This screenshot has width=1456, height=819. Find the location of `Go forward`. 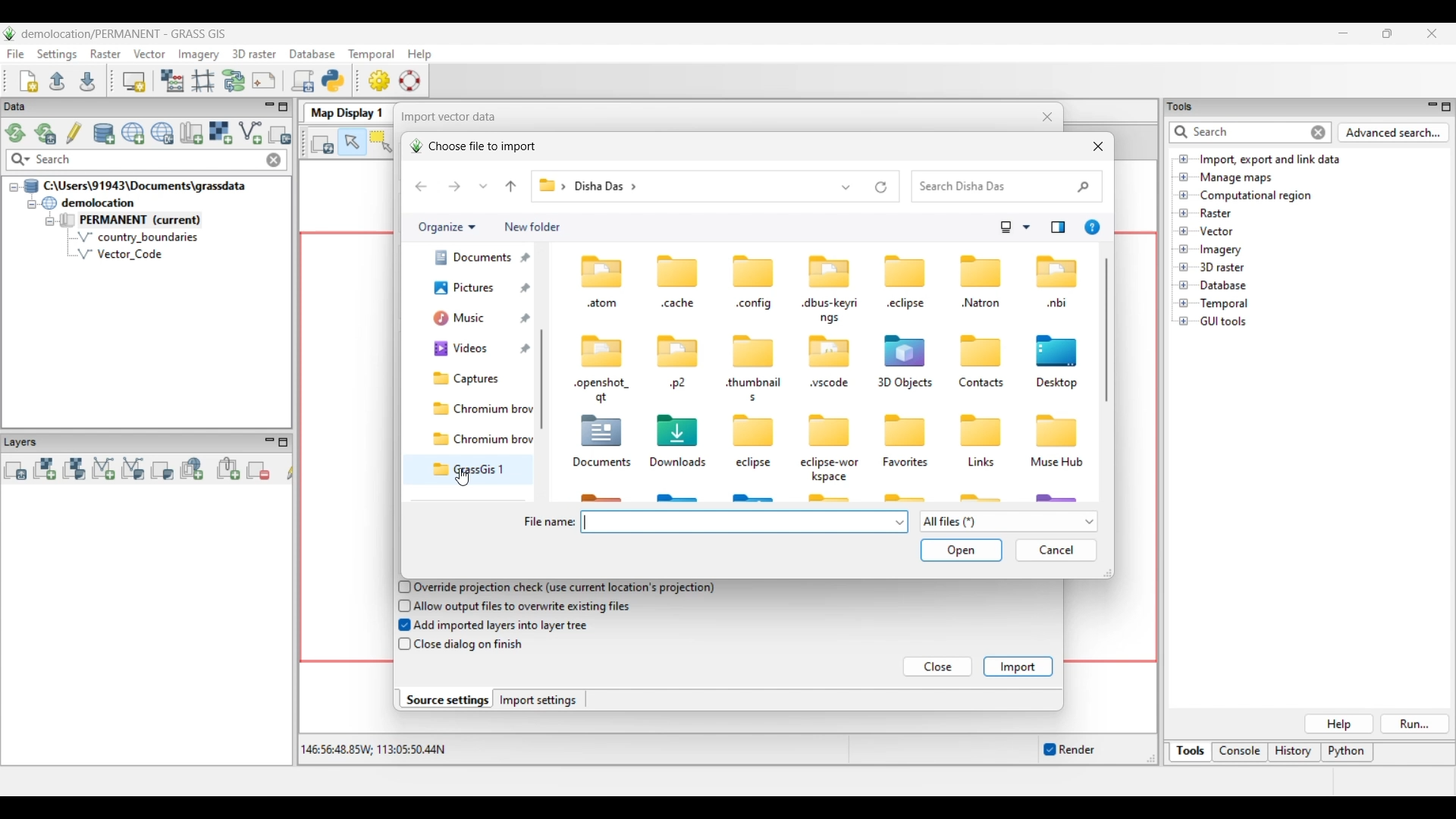

Go forward is located at coordinates (454, 186).